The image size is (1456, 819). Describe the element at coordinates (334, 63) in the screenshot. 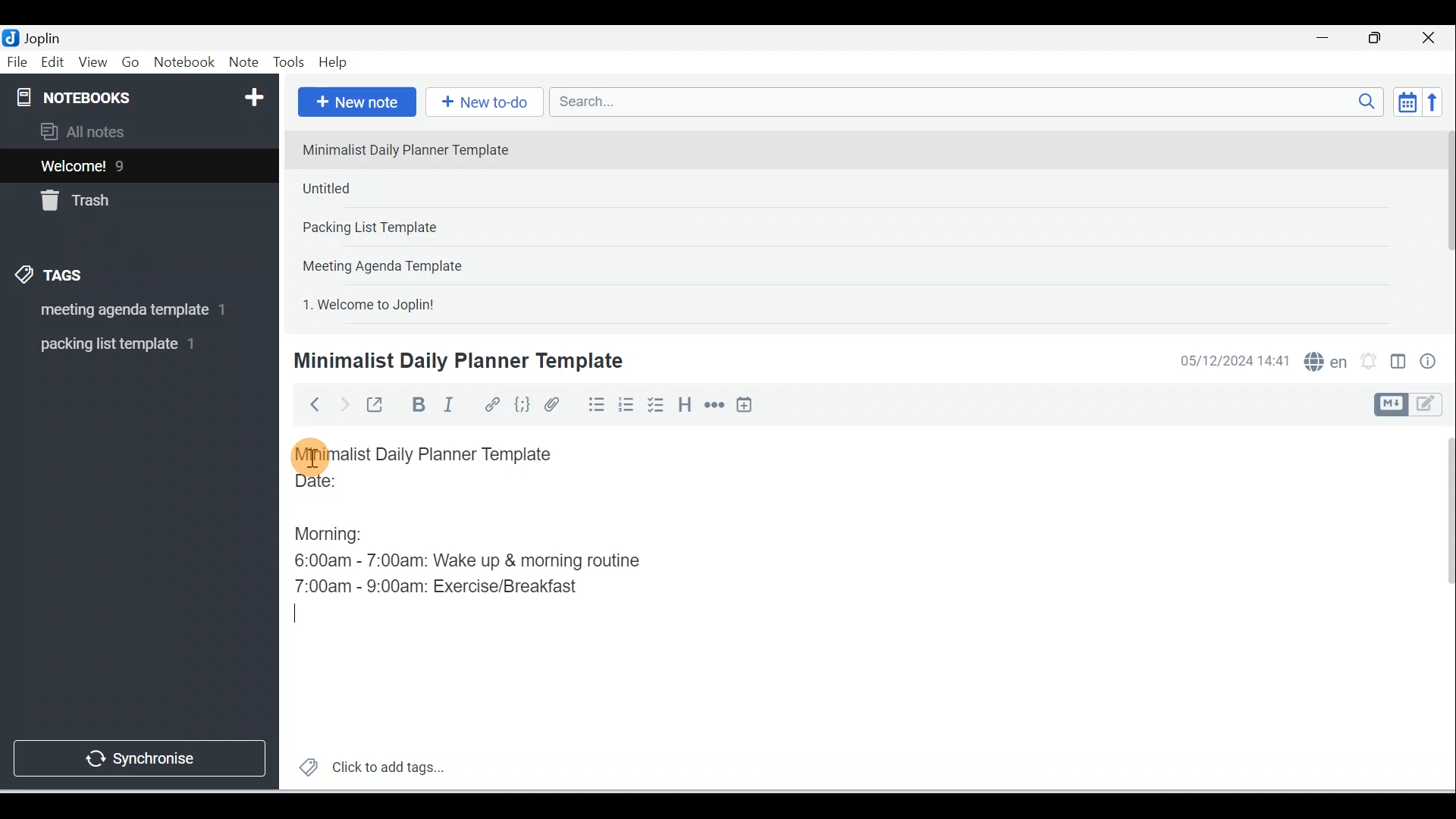

I see `Help` at that location.